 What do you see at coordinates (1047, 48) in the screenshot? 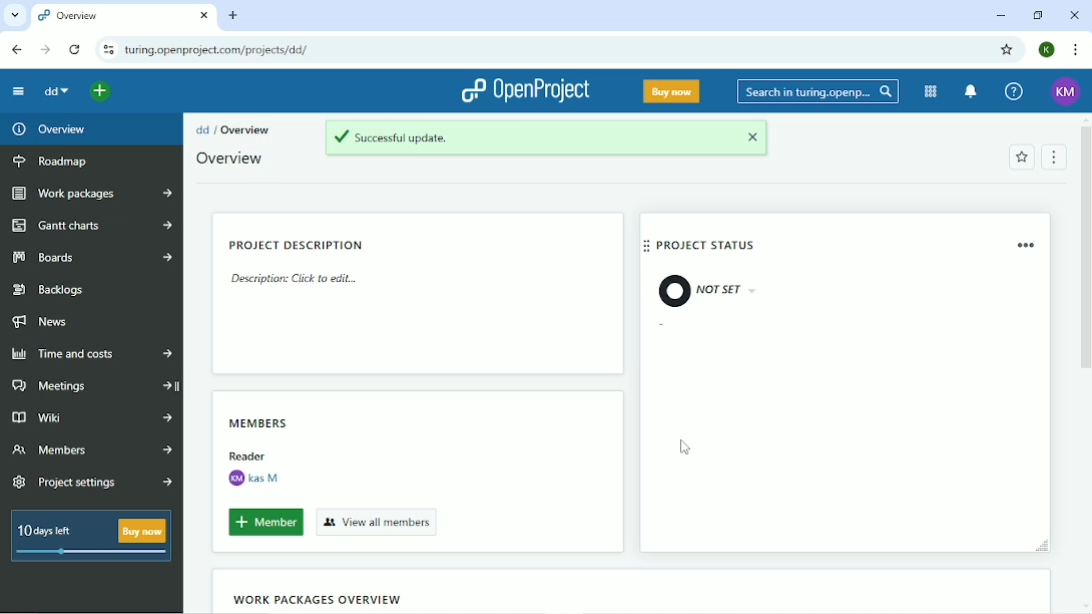
I see `Account` at bounding box center [1047, 48].